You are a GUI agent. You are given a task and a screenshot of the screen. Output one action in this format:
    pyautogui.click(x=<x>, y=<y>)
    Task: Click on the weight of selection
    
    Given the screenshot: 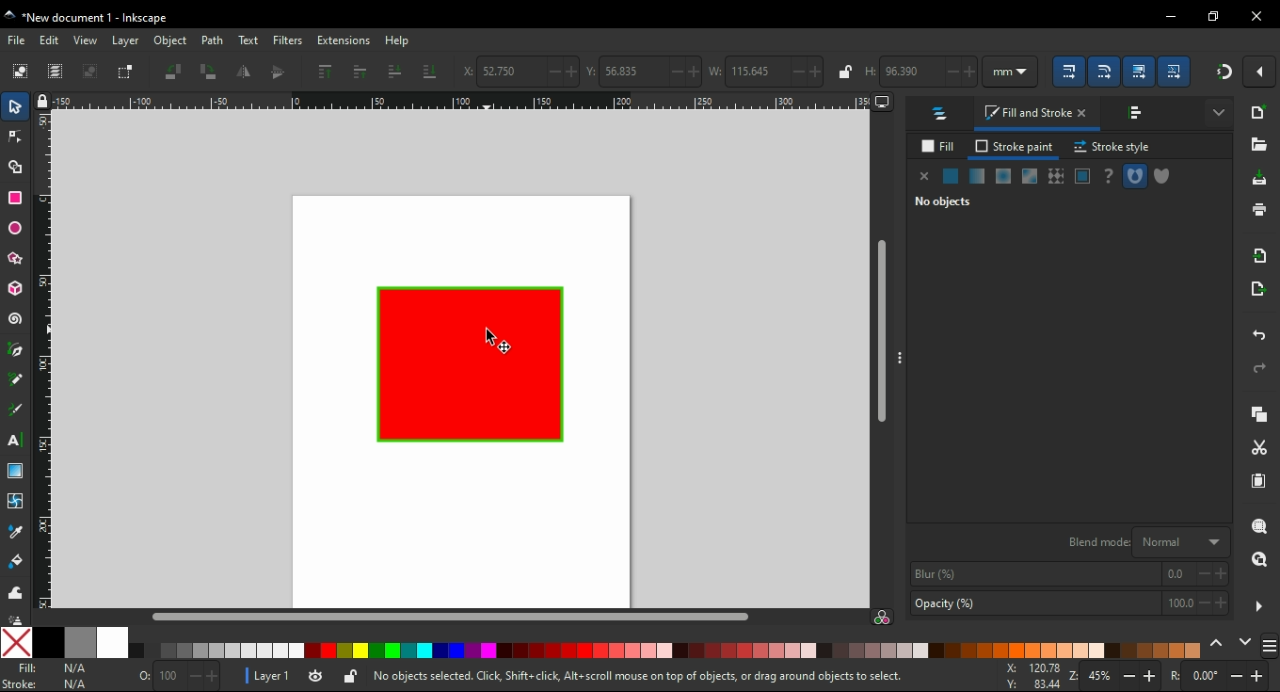 What is the action you would take?
    pyautogui.click(x=714, y=71)
    